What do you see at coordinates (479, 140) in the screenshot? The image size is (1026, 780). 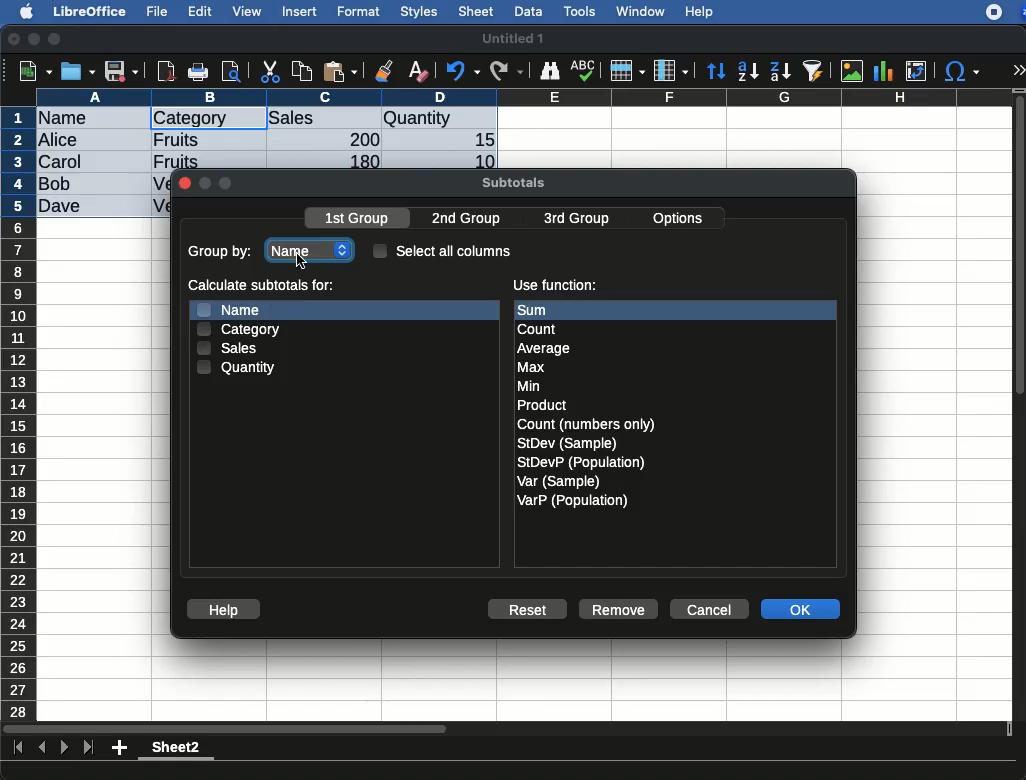 I see `15` at bounding box center [479, 140].